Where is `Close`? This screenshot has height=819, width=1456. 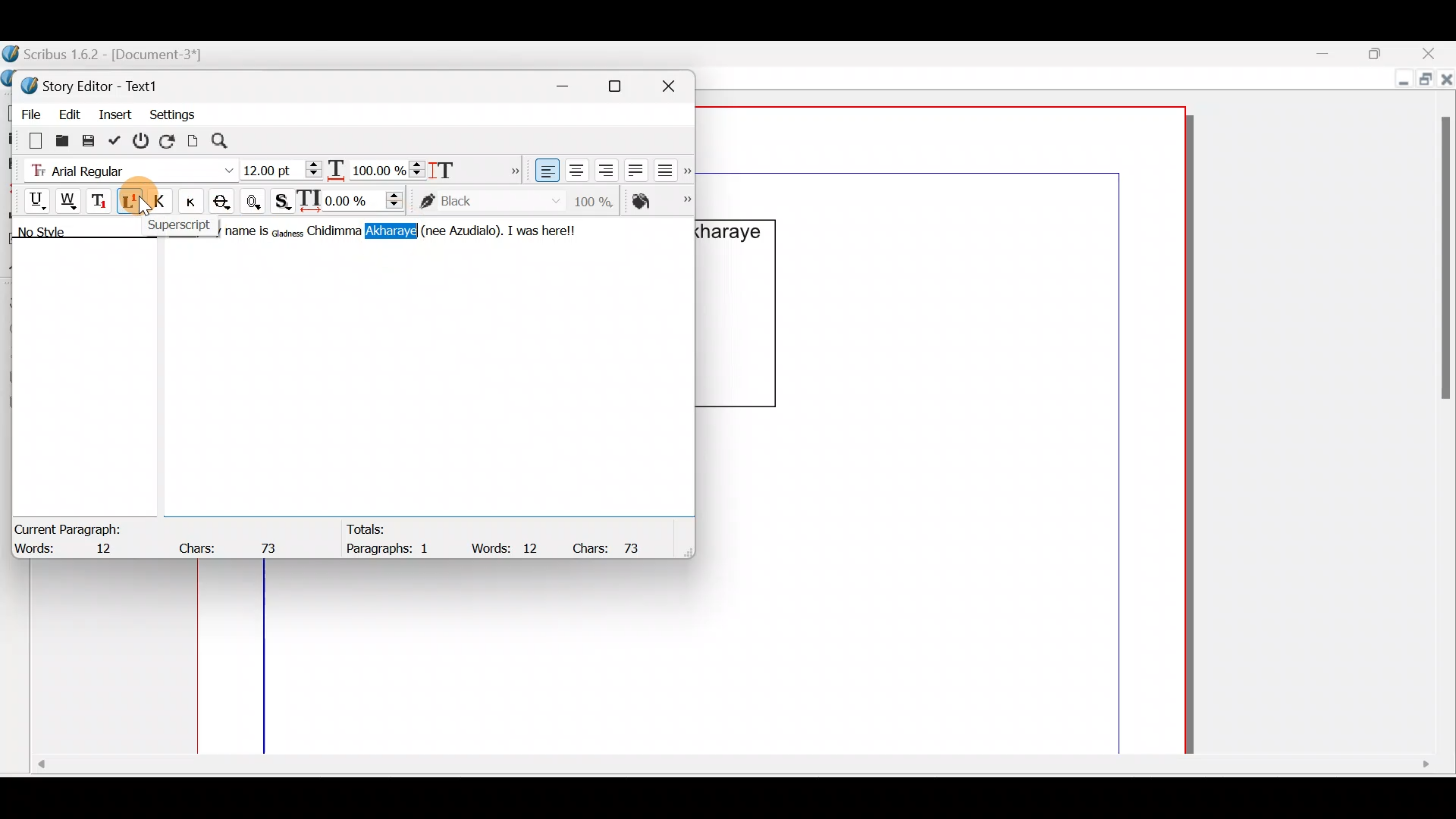
Close is located at coordinates (1433, 53).